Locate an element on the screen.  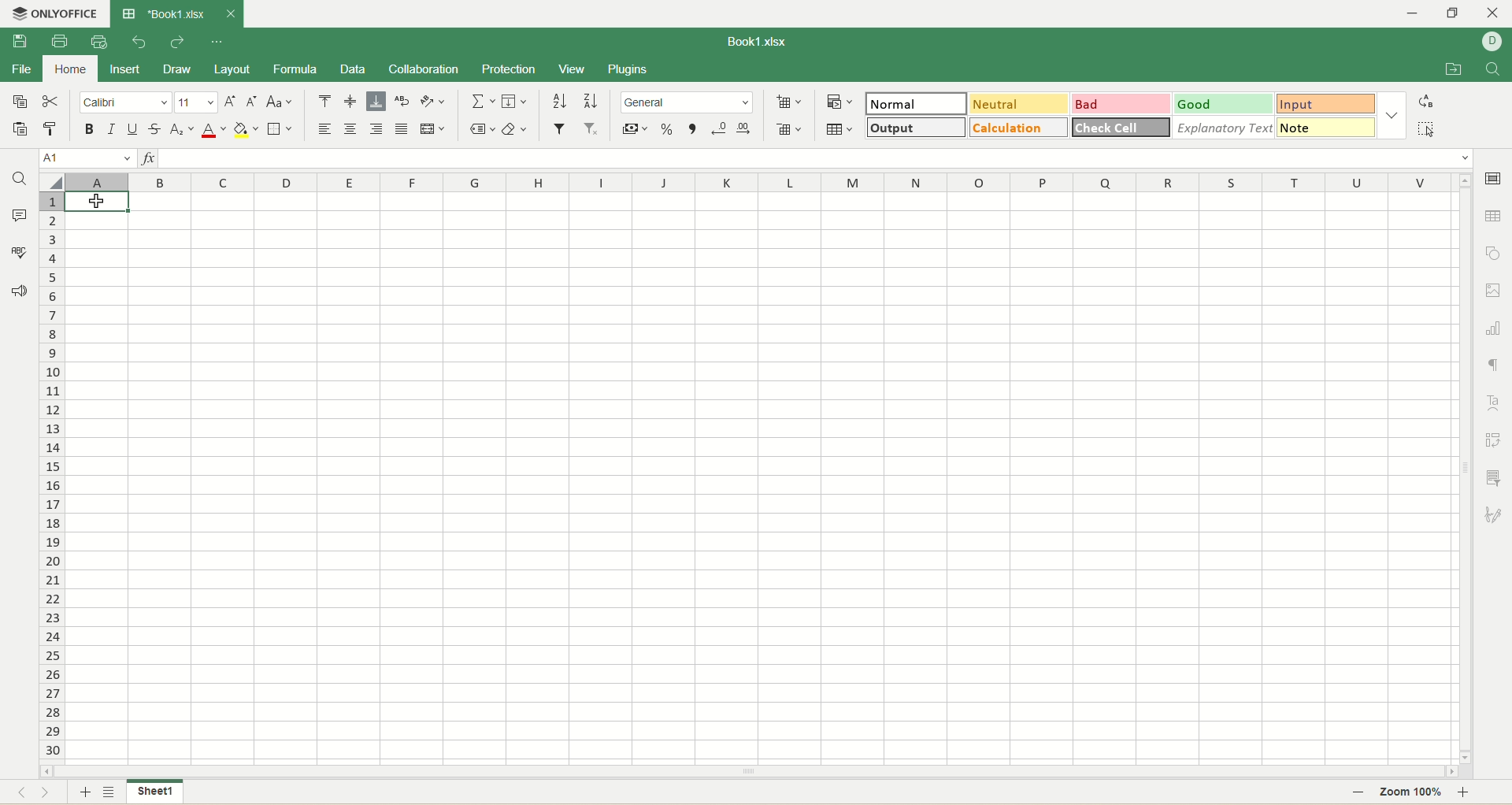
chart settings is located at coordinates (1494, 327).